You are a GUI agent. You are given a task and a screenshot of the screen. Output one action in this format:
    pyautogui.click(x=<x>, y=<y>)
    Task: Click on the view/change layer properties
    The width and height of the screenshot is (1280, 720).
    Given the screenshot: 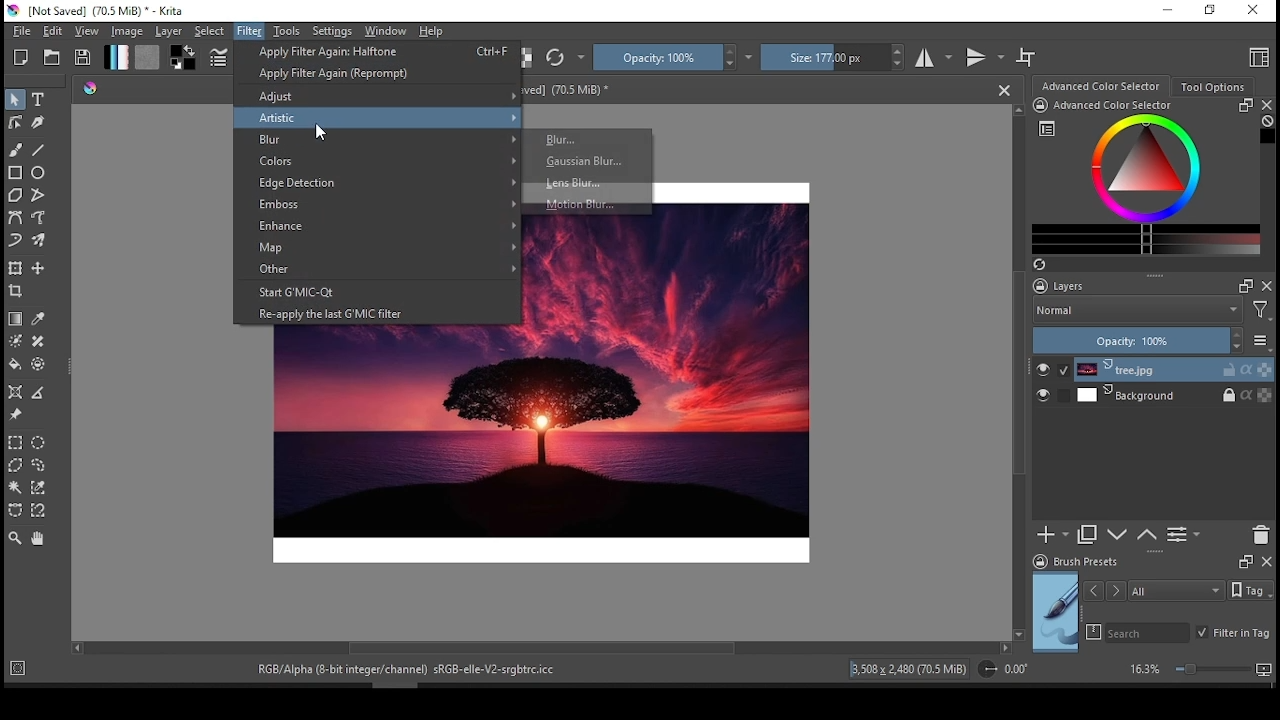 What is the action you would take?
    pyautogui.click(x=1188, y=535)
    